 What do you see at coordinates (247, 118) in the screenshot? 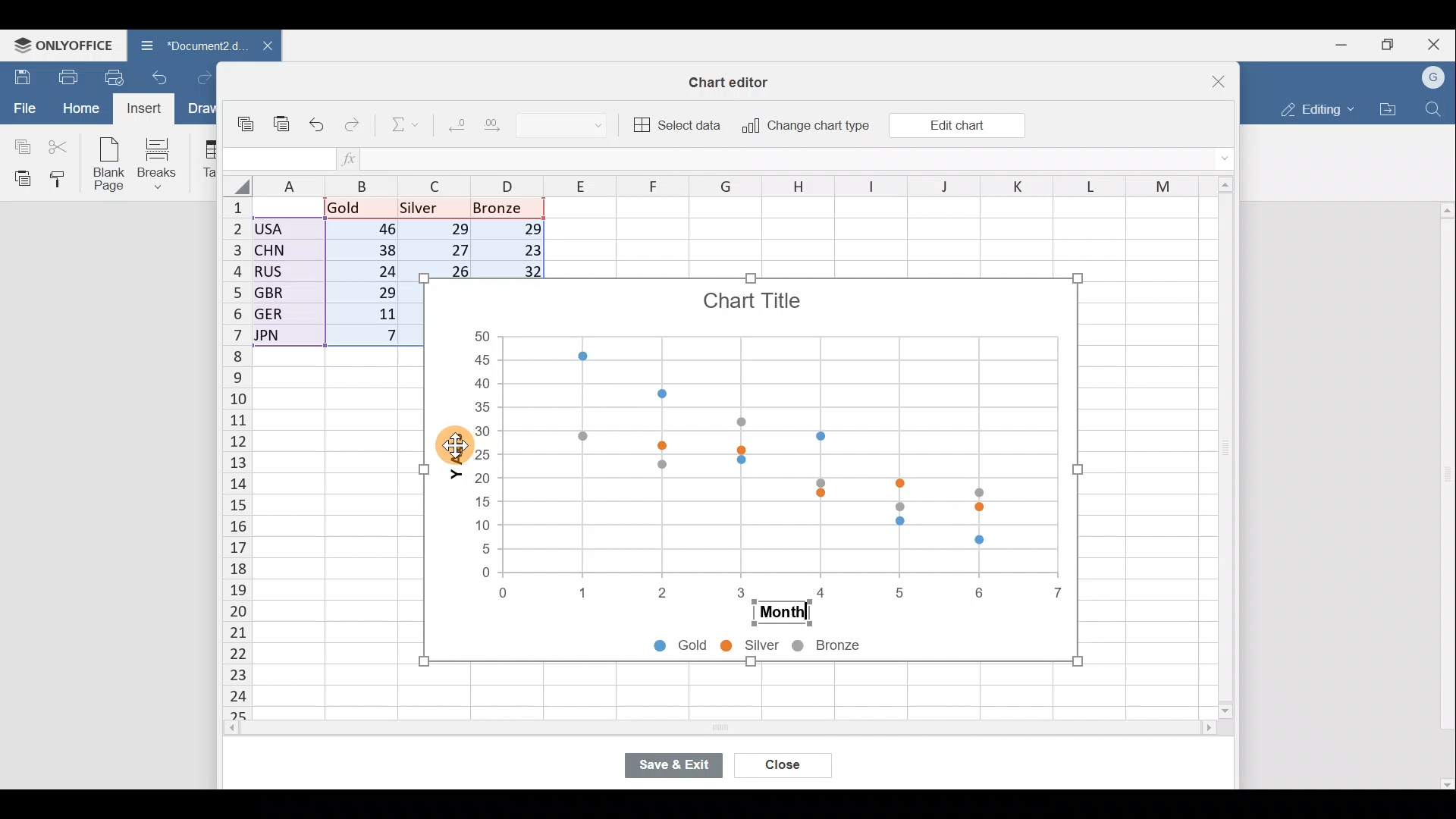
I see `Copy` at bounding box center [247, 118].